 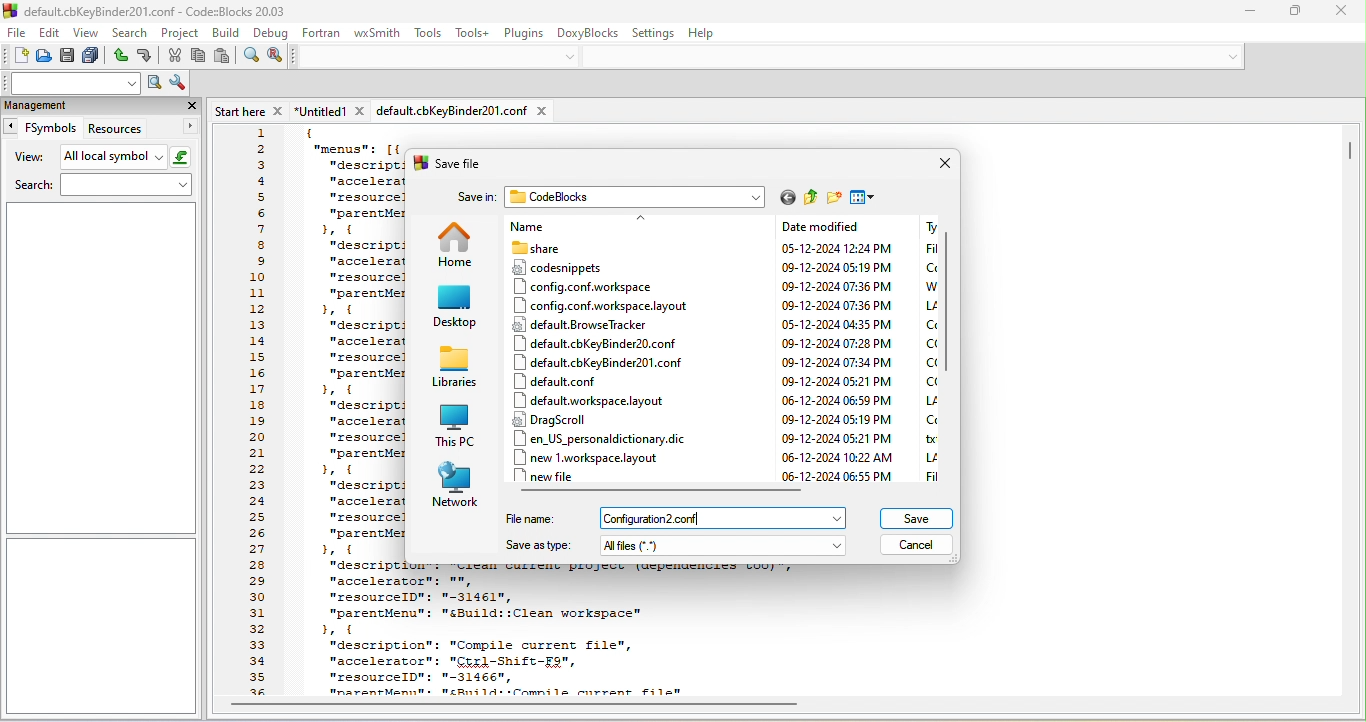 What do you see at coordinates (952, 306) in the screenshot?
I see `vertical scroll bar` at bounding box center [952, 306].